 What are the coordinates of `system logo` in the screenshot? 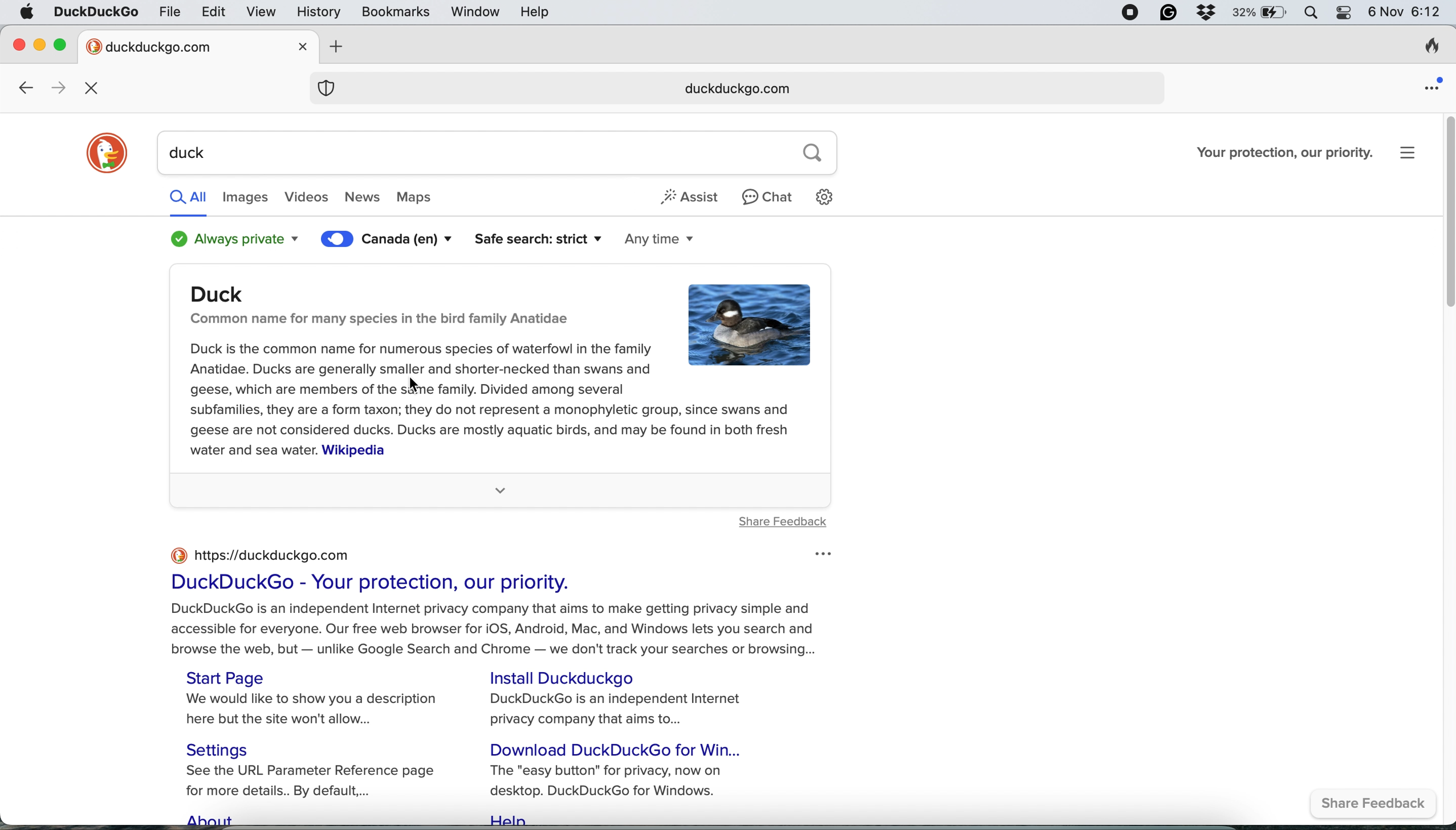 It's located at (26, 13).